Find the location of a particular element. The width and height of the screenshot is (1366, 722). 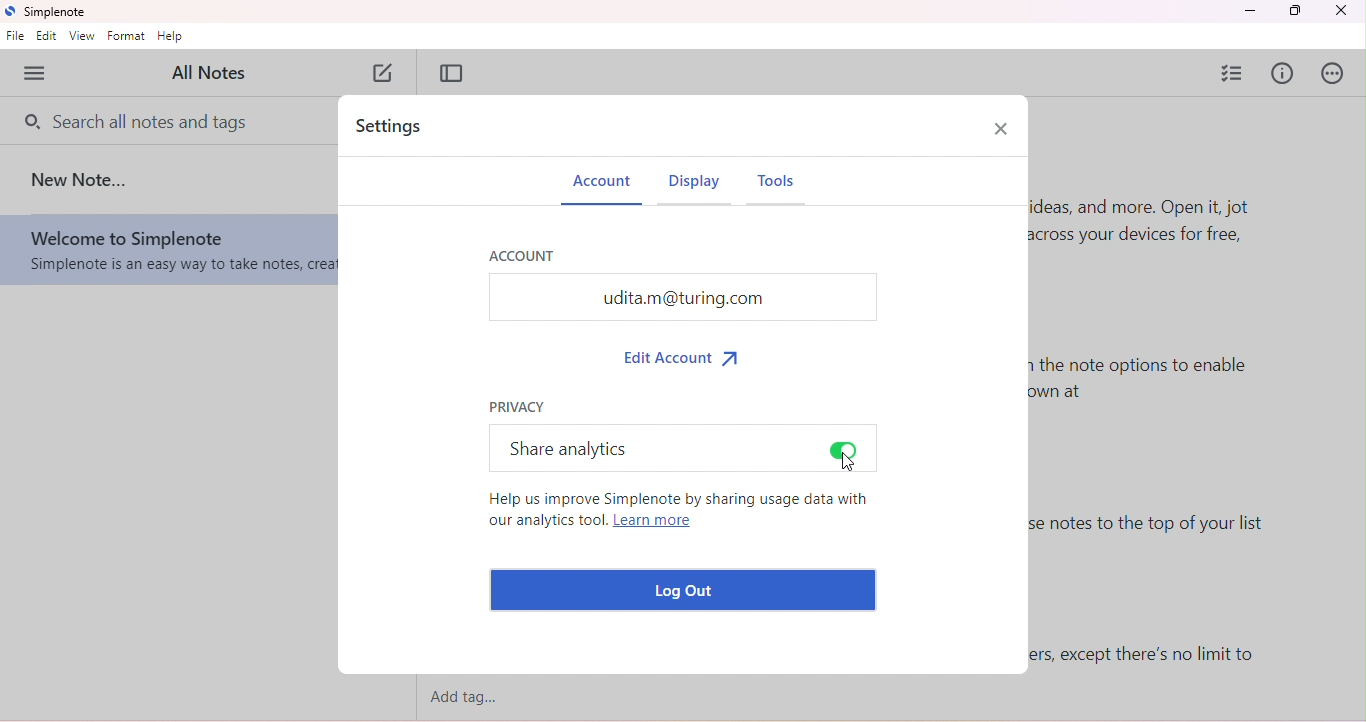

close is located at coordinates (1000, 127).